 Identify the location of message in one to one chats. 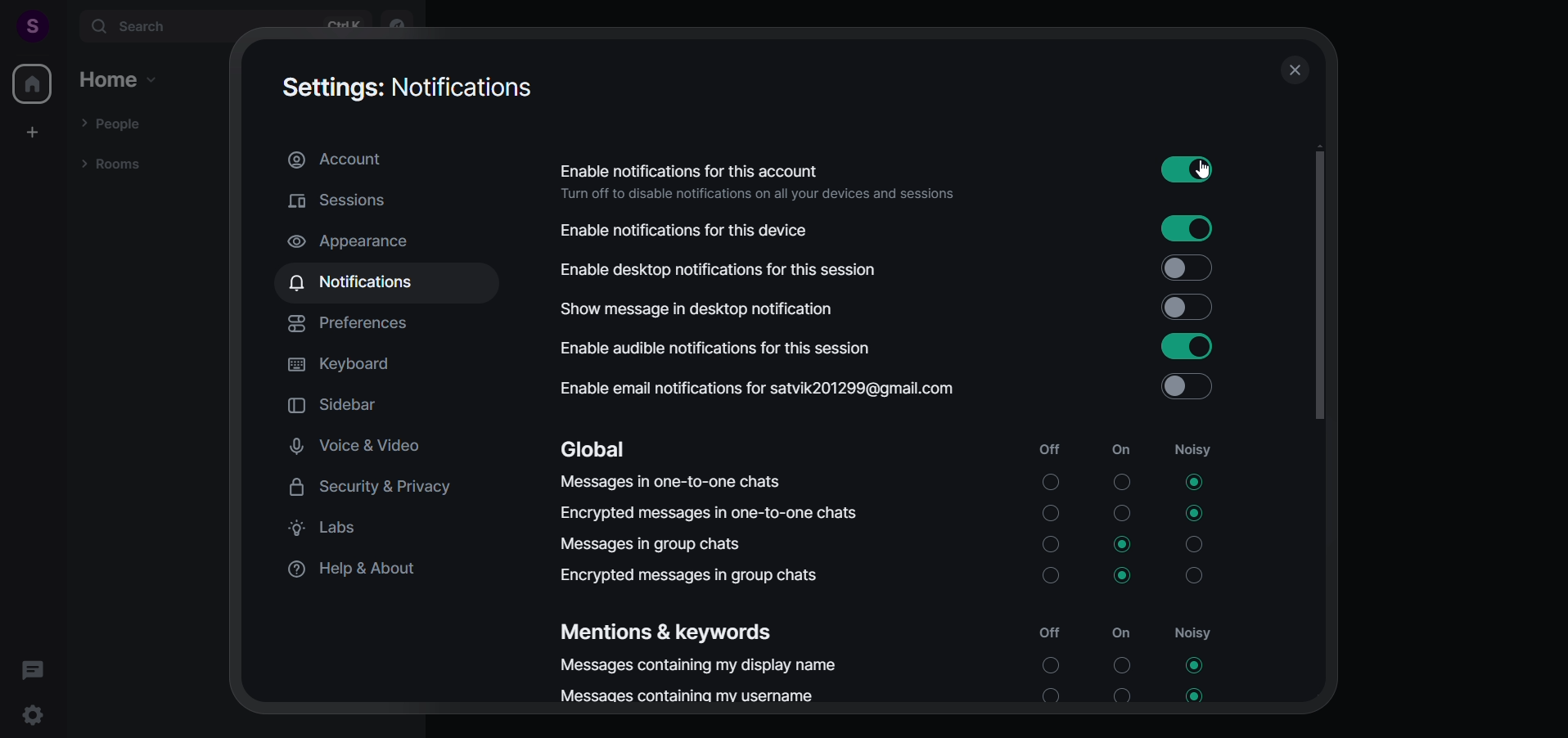
(890, 479).